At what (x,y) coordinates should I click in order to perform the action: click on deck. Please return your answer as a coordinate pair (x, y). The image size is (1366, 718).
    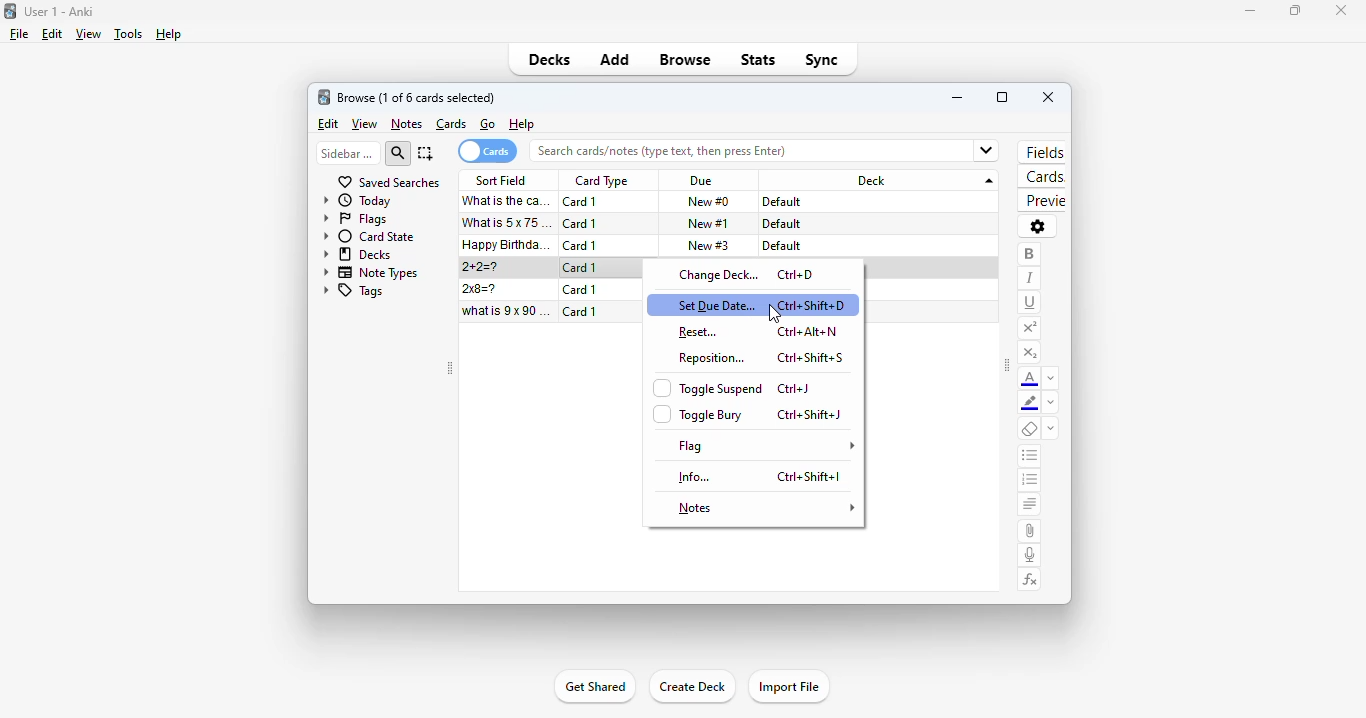
    Looking at the image, I should click on (882, 180).